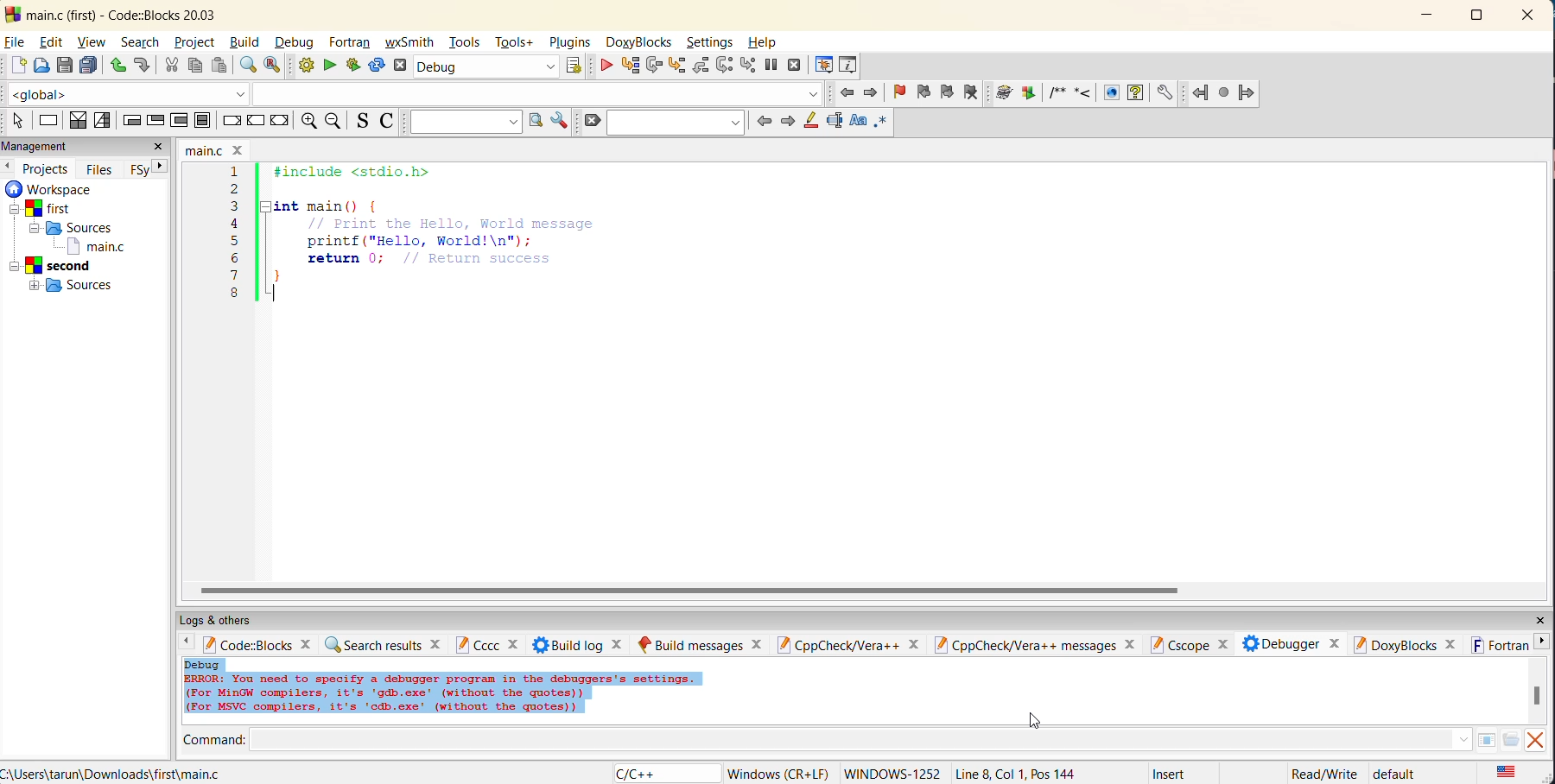 This screenshot has width=1555, height=784. Describe the element at coordinates (676, 124) in the screenshot. I see `search` at that location.